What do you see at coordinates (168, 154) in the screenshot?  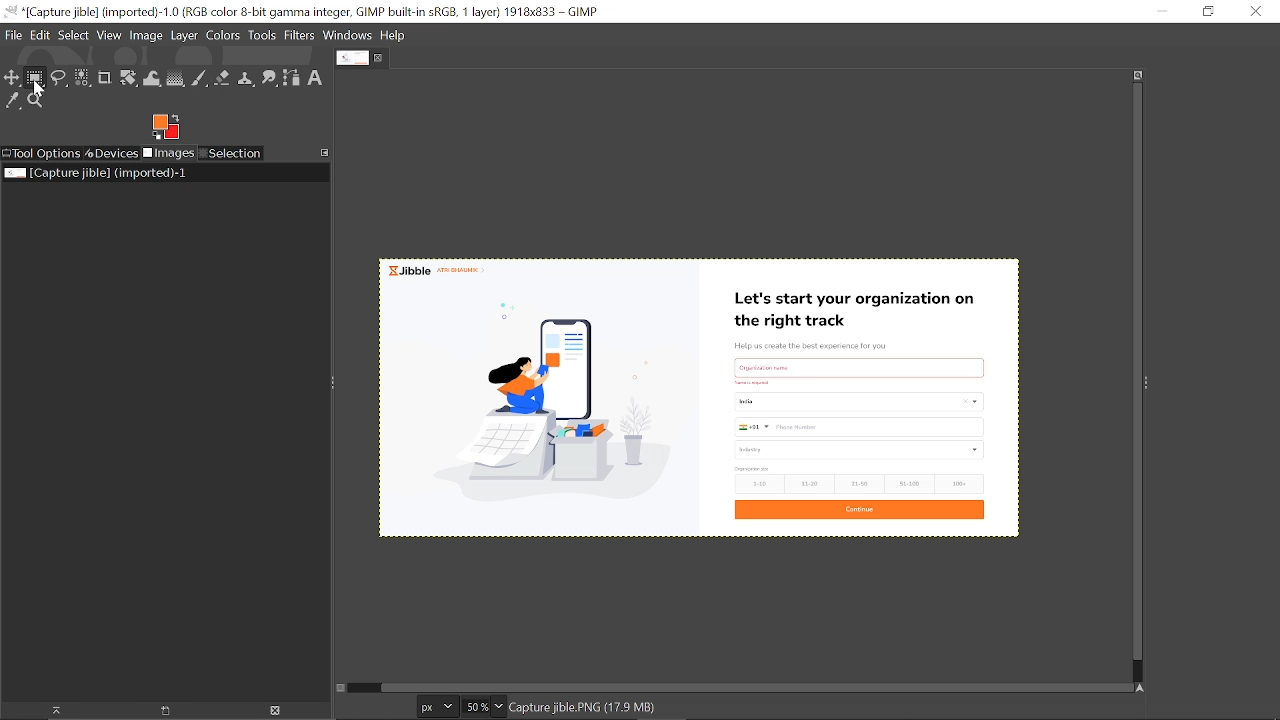 I see `Images` at bounding box center [168, 154].